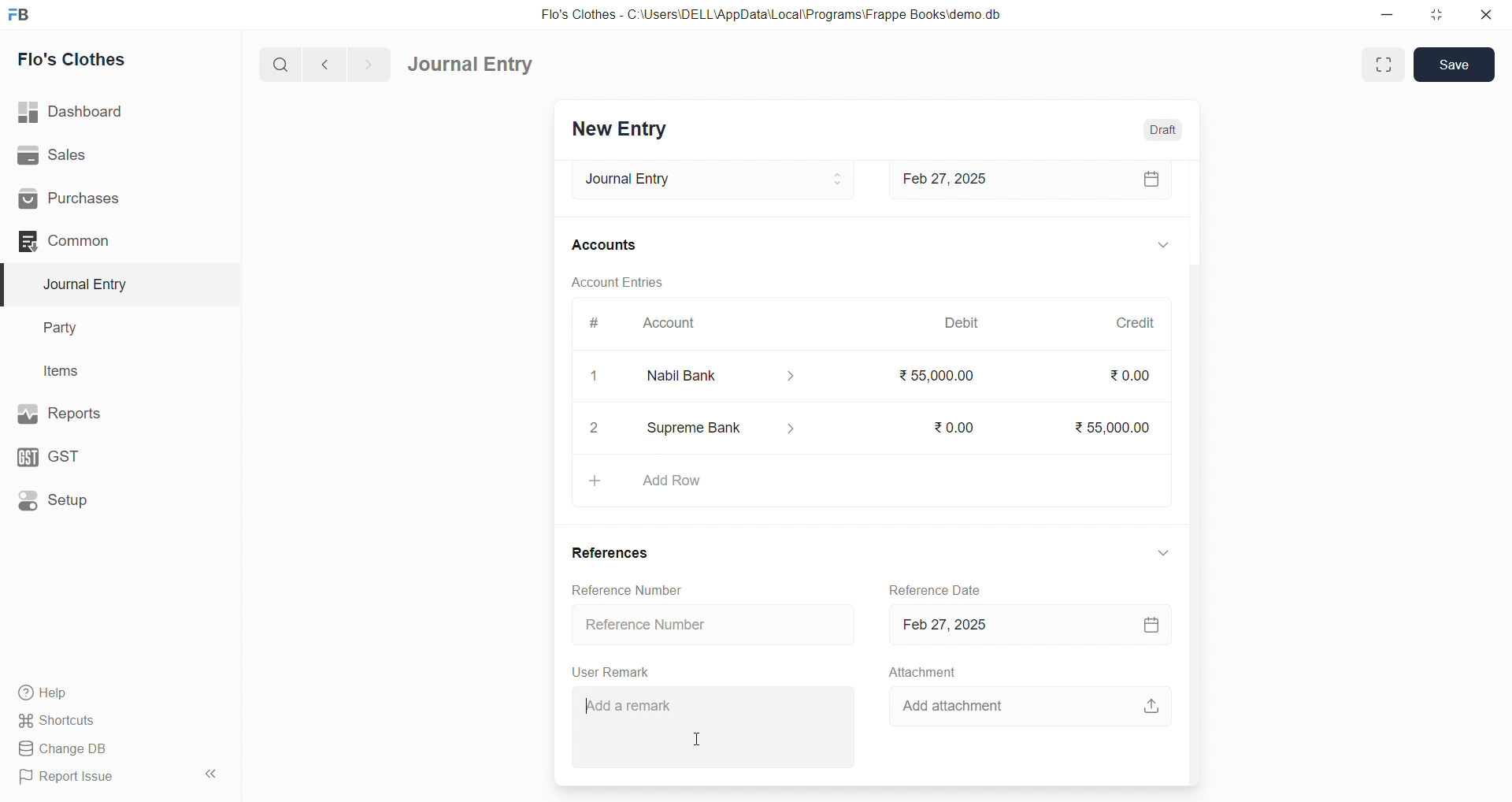 The width and height of the screenshot is (1512, 802). Describe the element at coordinates (86, 457) in the screenshot. I see `GST` at that location.